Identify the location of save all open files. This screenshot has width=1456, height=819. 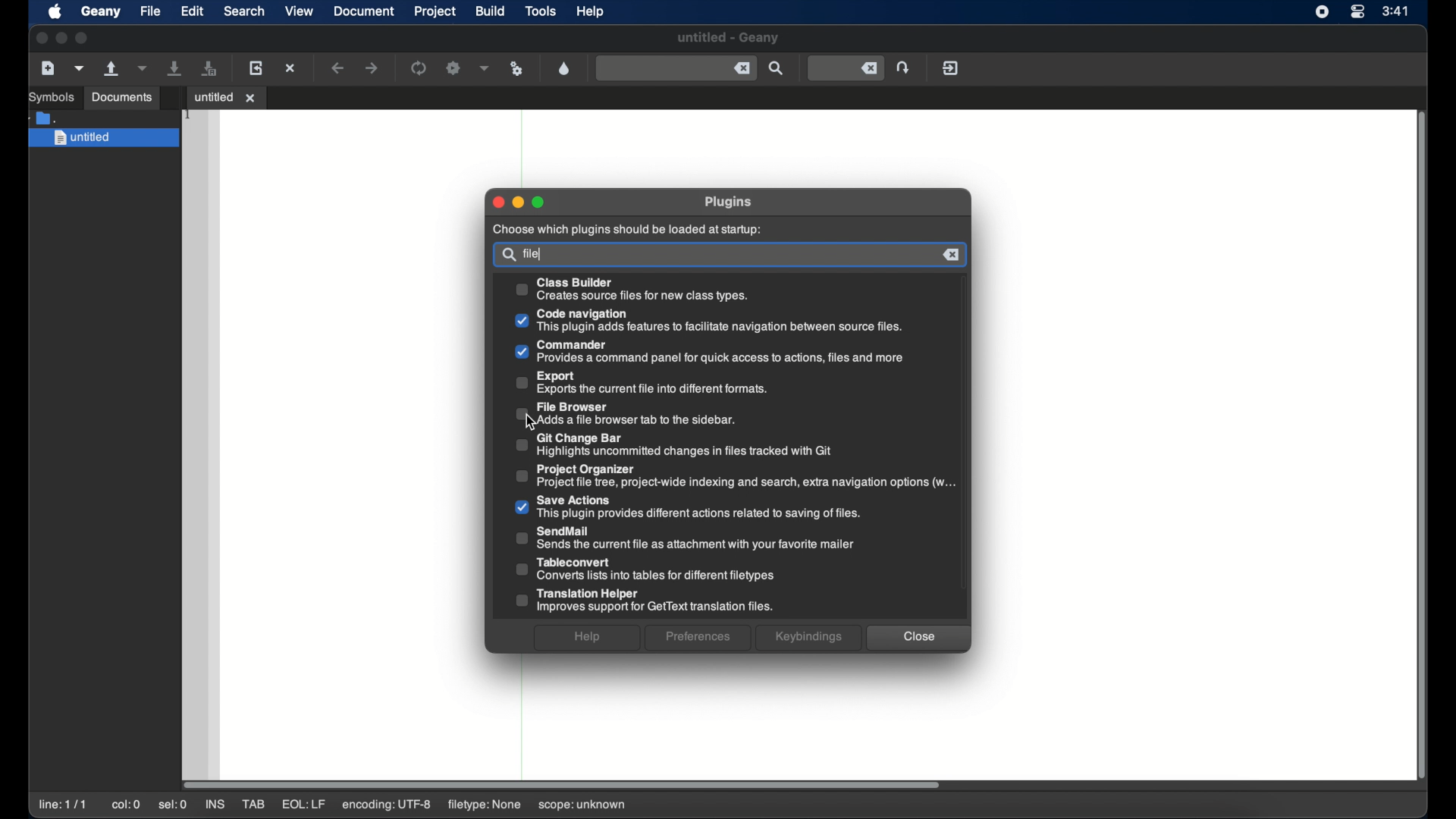
(211, 68).